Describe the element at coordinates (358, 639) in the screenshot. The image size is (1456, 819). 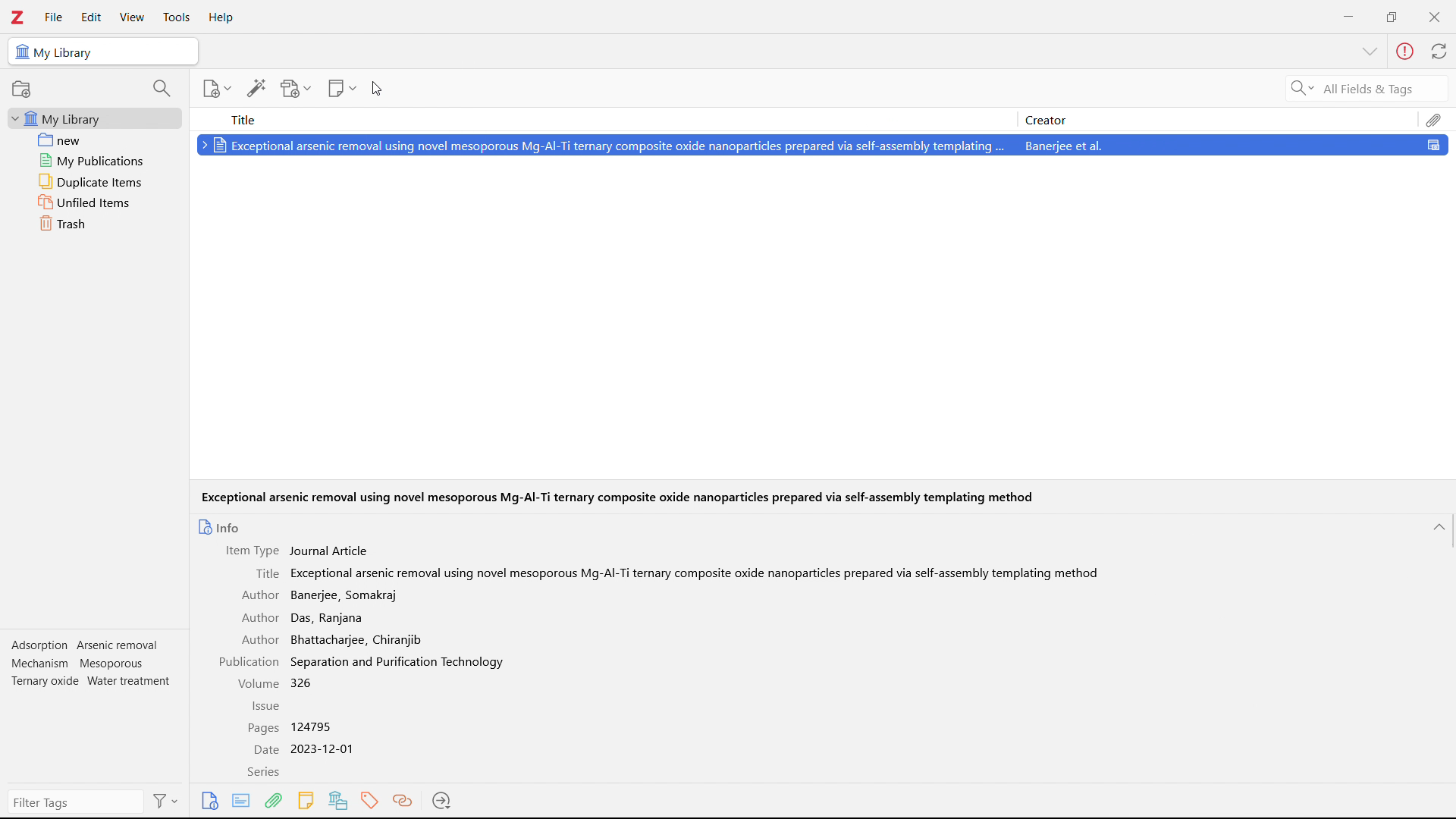
I see `Bhattacharjee, Chiranjib` at that location.